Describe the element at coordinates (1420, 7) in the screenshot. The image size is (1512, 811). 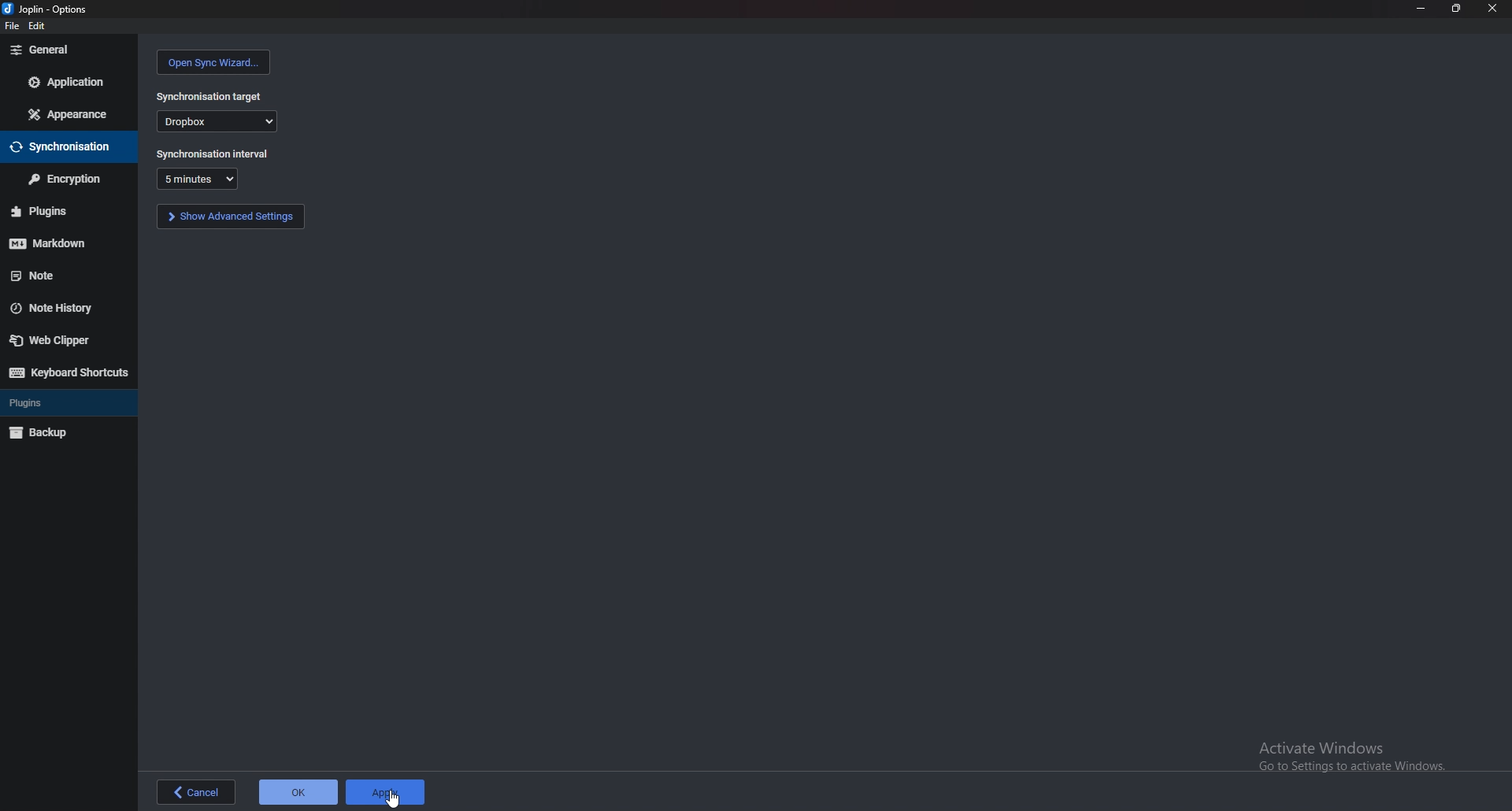
I see `minimize` at that location.